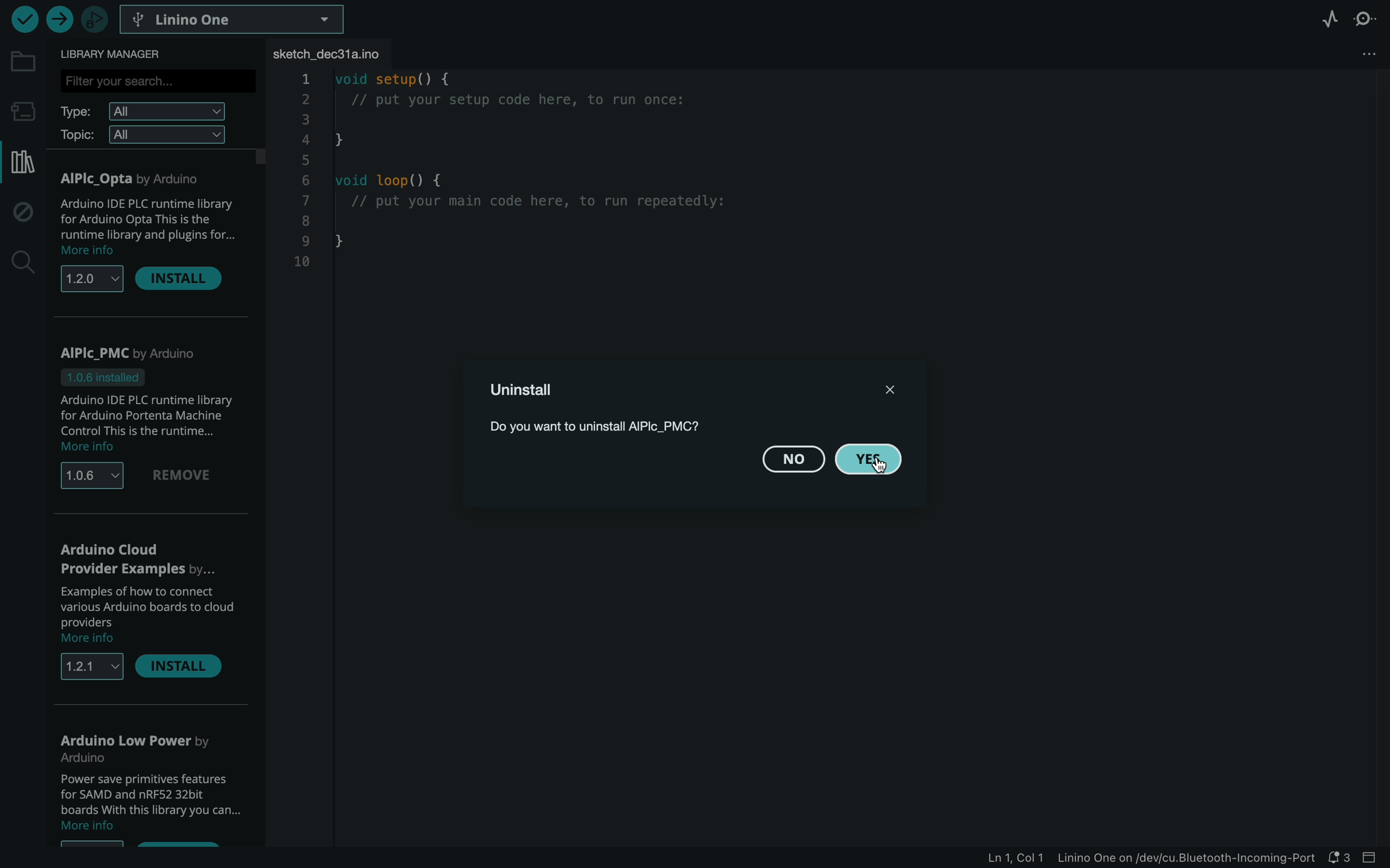 The width and height of the screenshot is (1390, 868). Describe the element at coordinates (1368, 22) in the screenshot. I see `serial monitor` at that location.